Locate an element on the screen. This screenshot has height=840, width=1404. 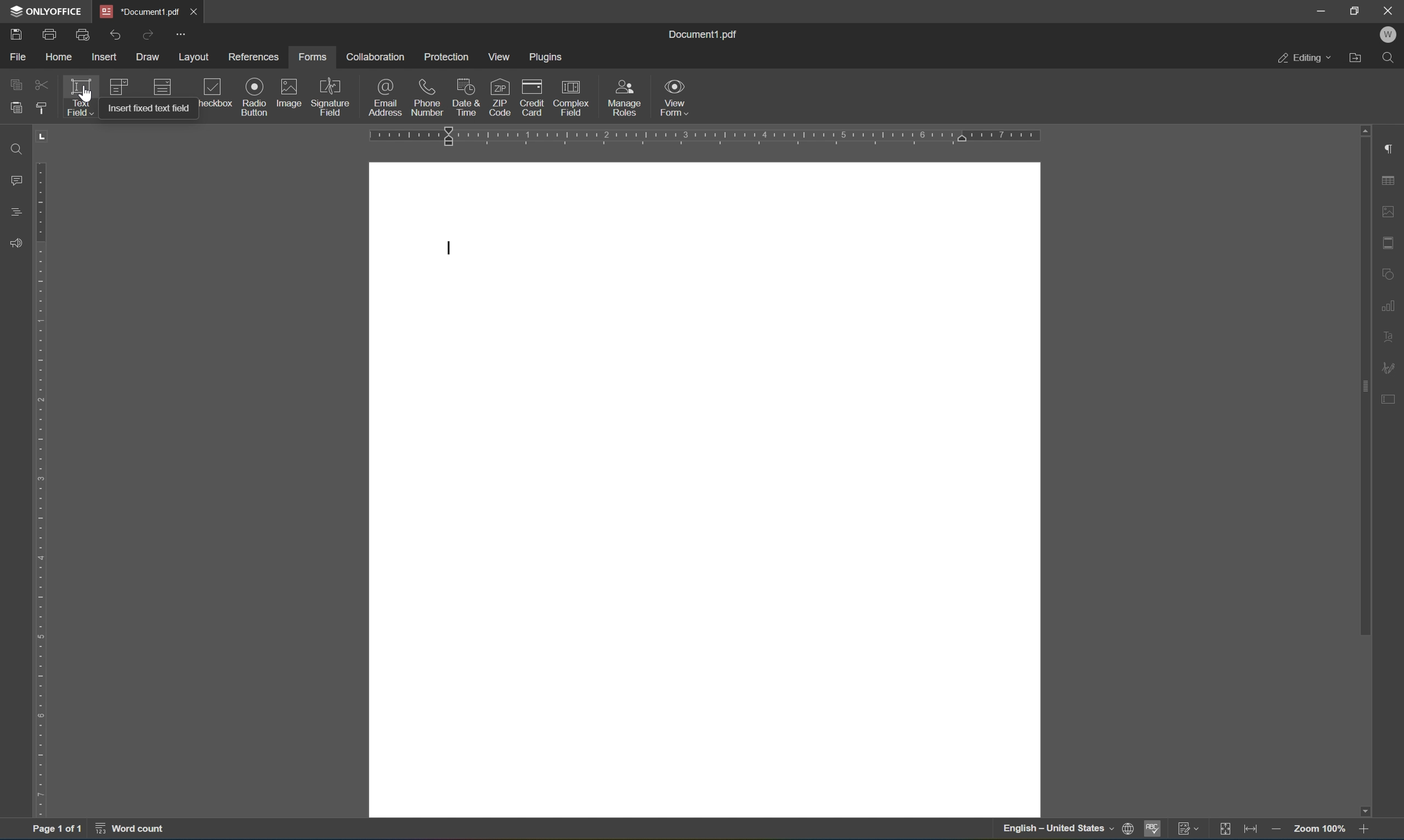
view is located at coordinates (503, 57).